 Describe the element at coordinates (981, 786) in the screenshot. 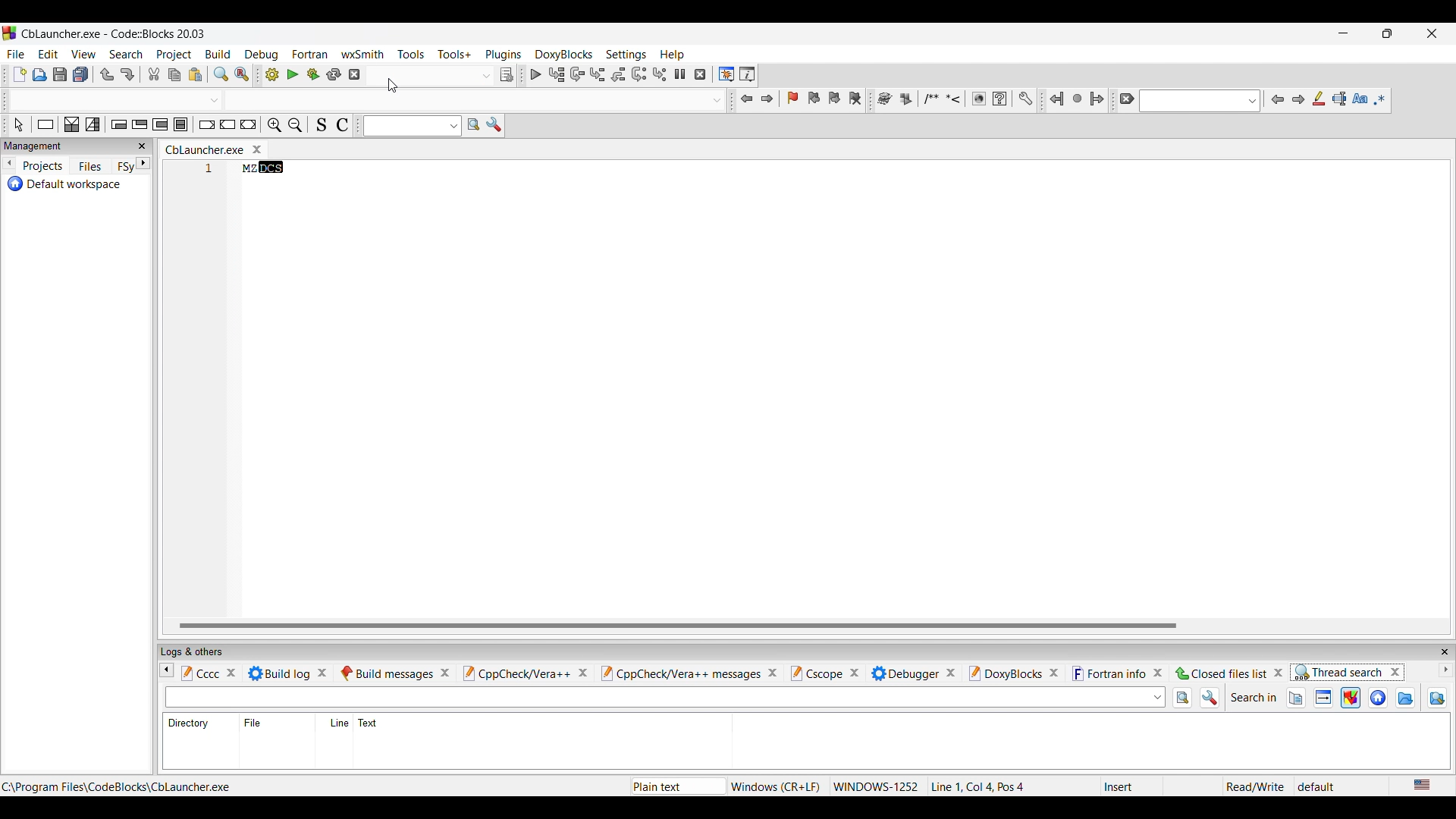

I see `Line 1` at that location.